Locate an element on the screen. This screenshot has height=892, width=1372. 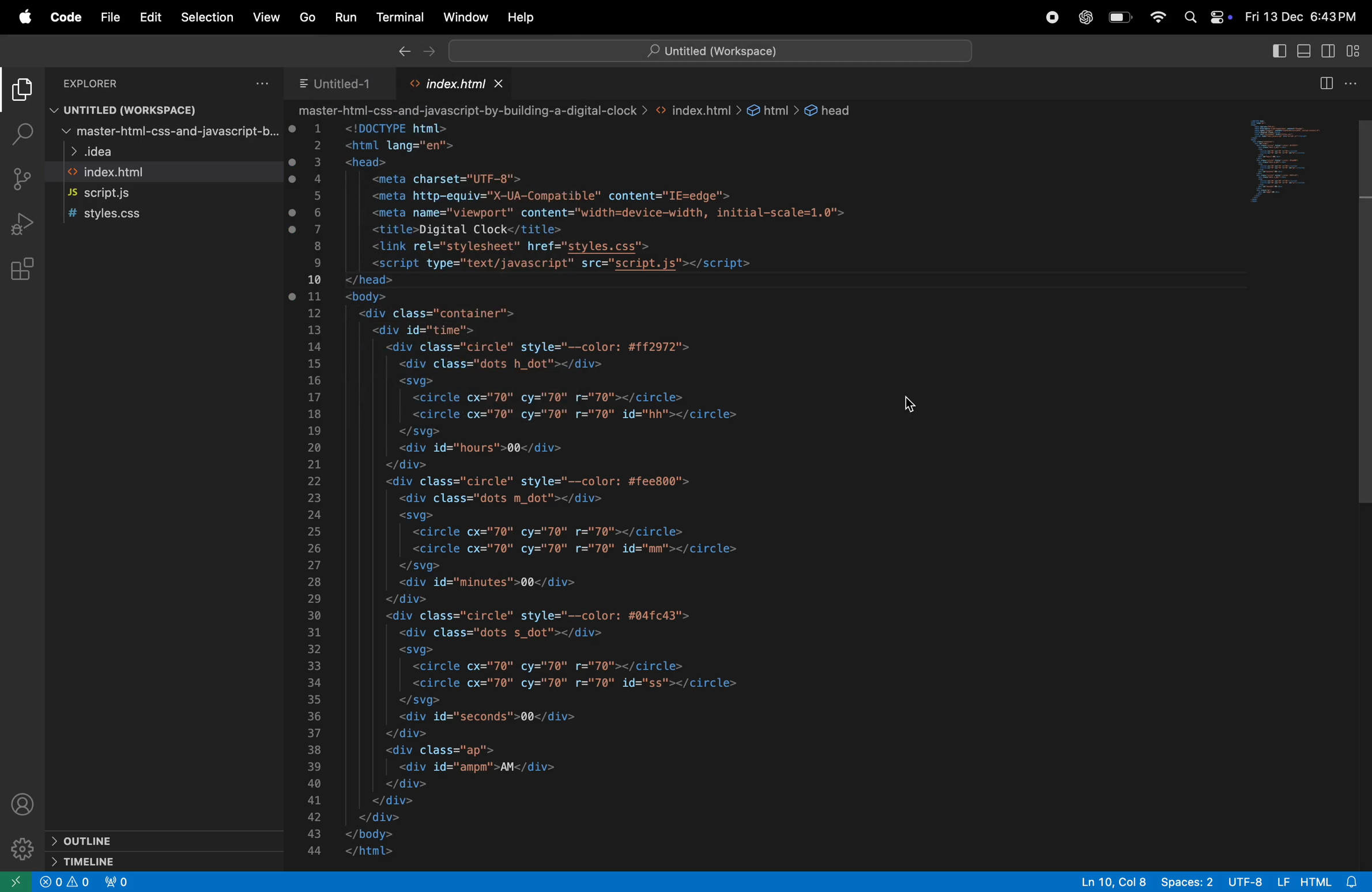
record is located at coordinates (1055, 17).